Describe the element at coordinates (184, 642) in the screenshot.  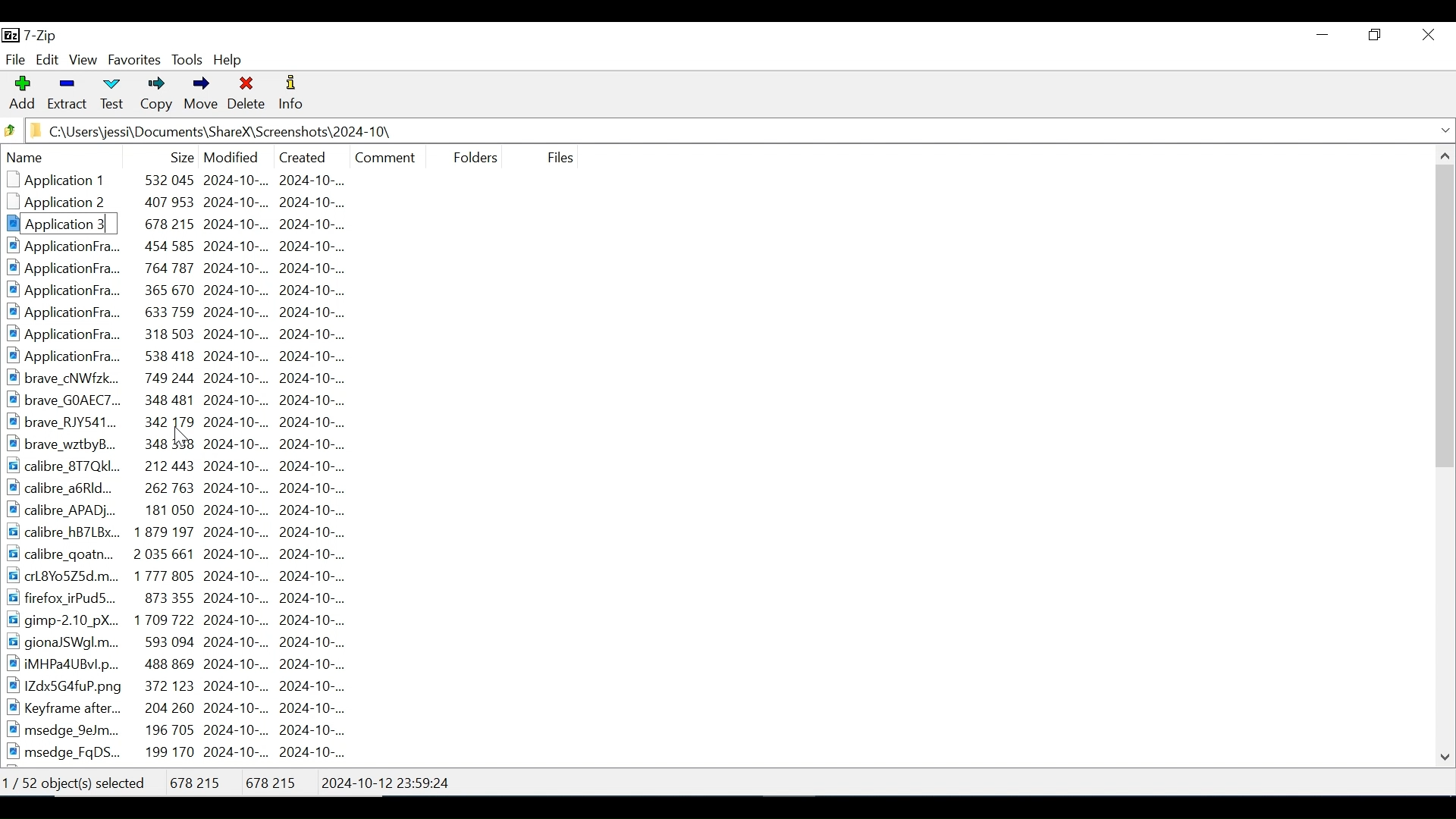
I see `gionaJSWgl.m... 593 094 2024-10-.. 2024-10-...` at that location.